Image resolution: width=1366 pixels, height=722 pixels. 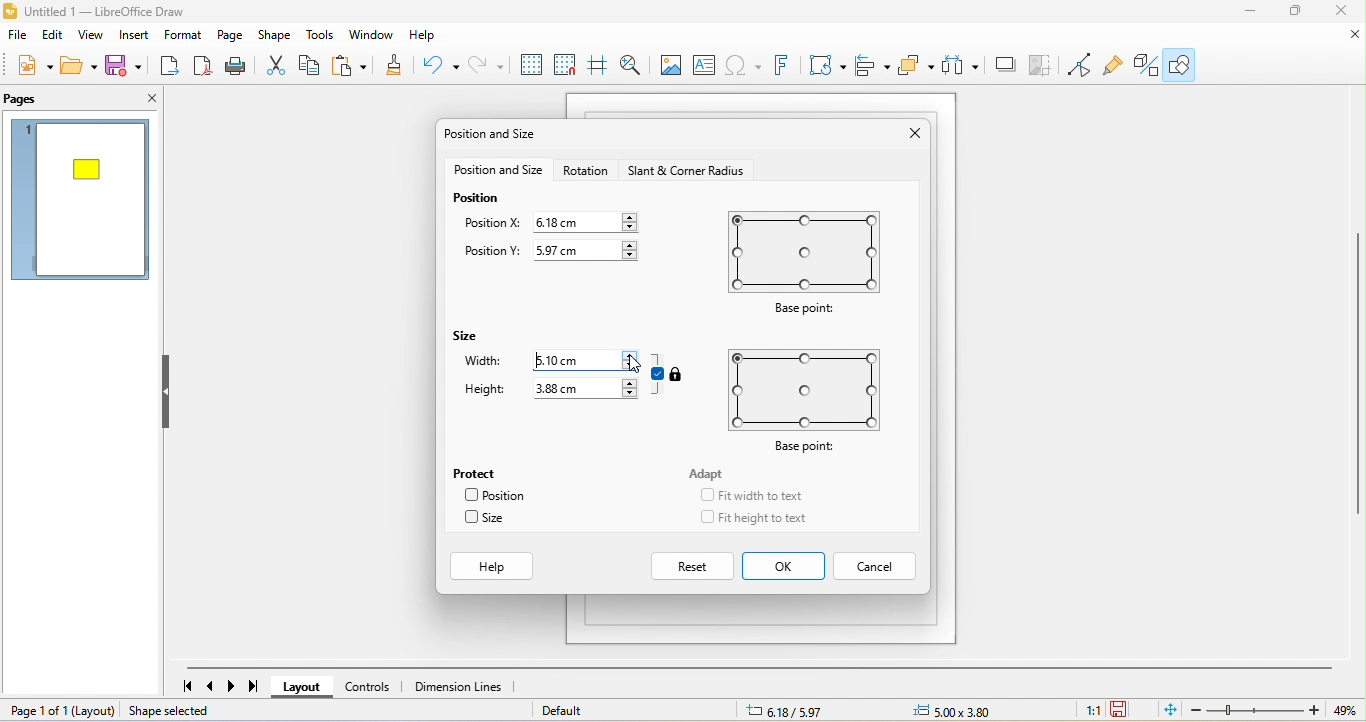 I want to click on size, so click(x=478, y=340).